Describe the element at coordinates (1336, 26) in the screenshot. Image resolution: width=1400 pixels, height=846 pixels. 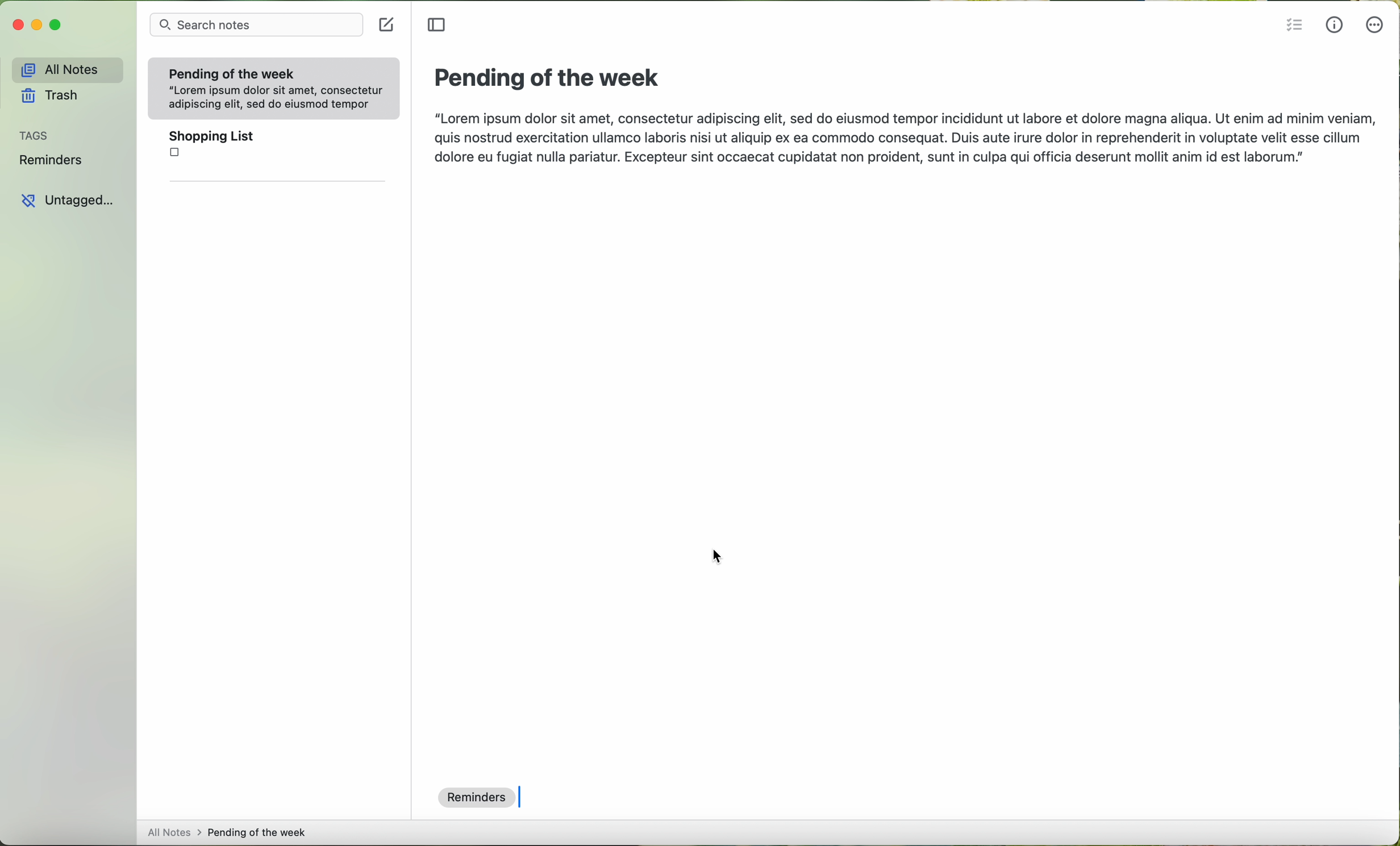
I see `metrics` at that location.